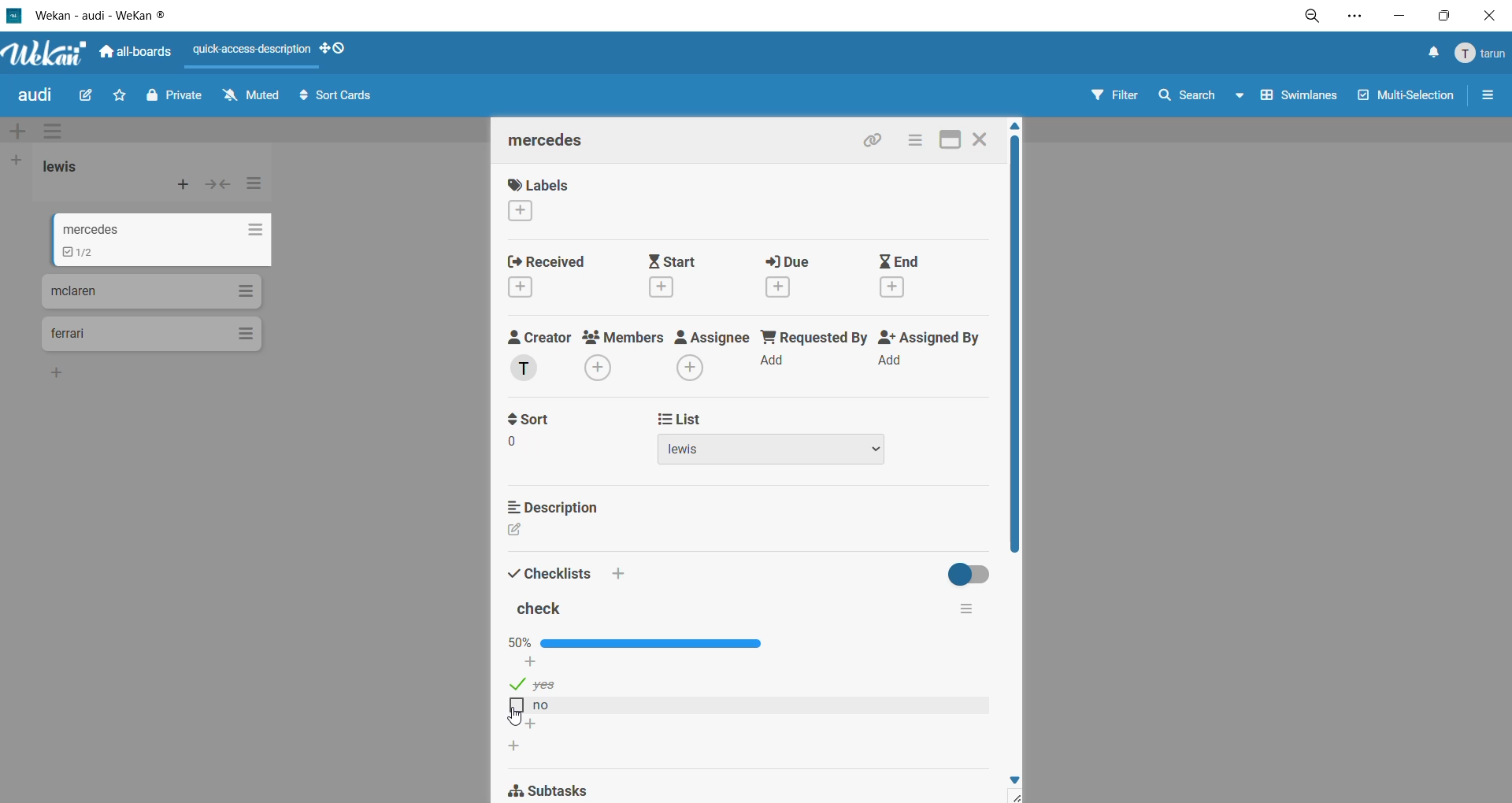 The height and width of the screenshot is (803, 1512). What do you see at coordinates (1489, 19) in the screenshot?
I see `close` at bounding box center [1489, 19].